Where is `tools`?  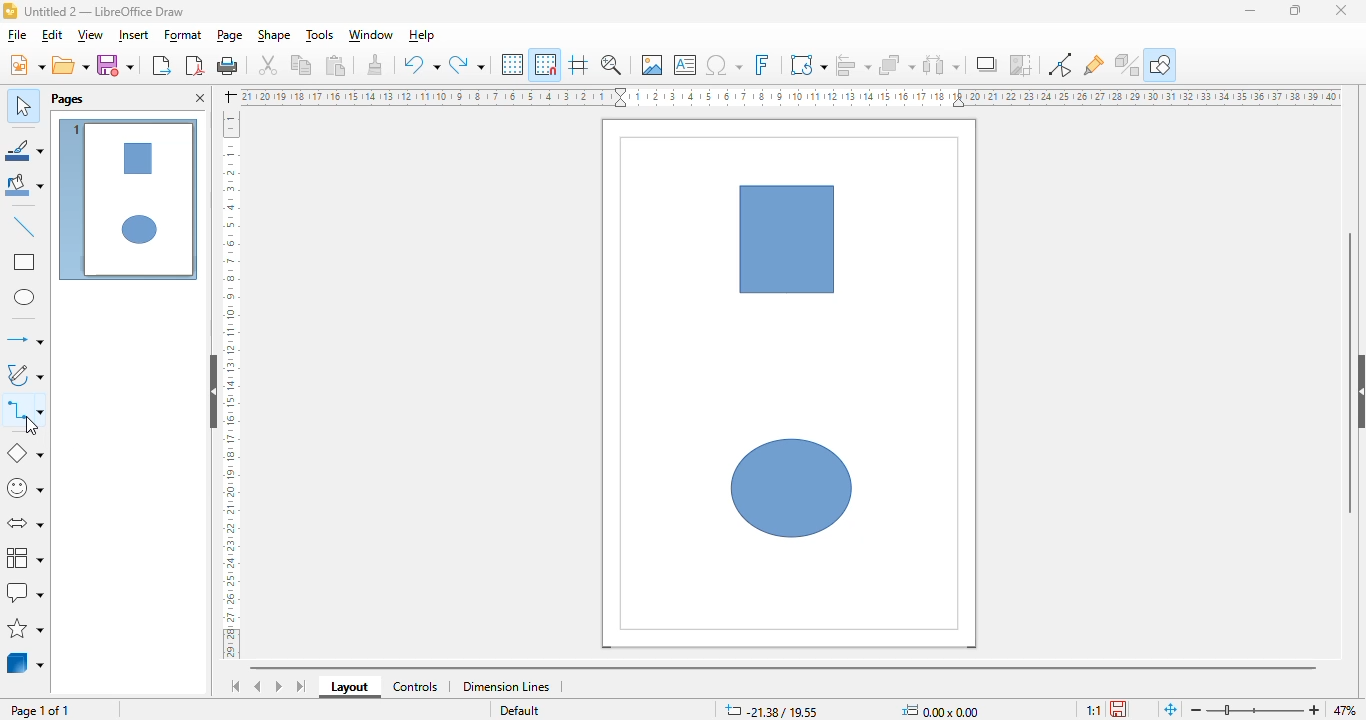 tools is located at coordinates (321, 35).